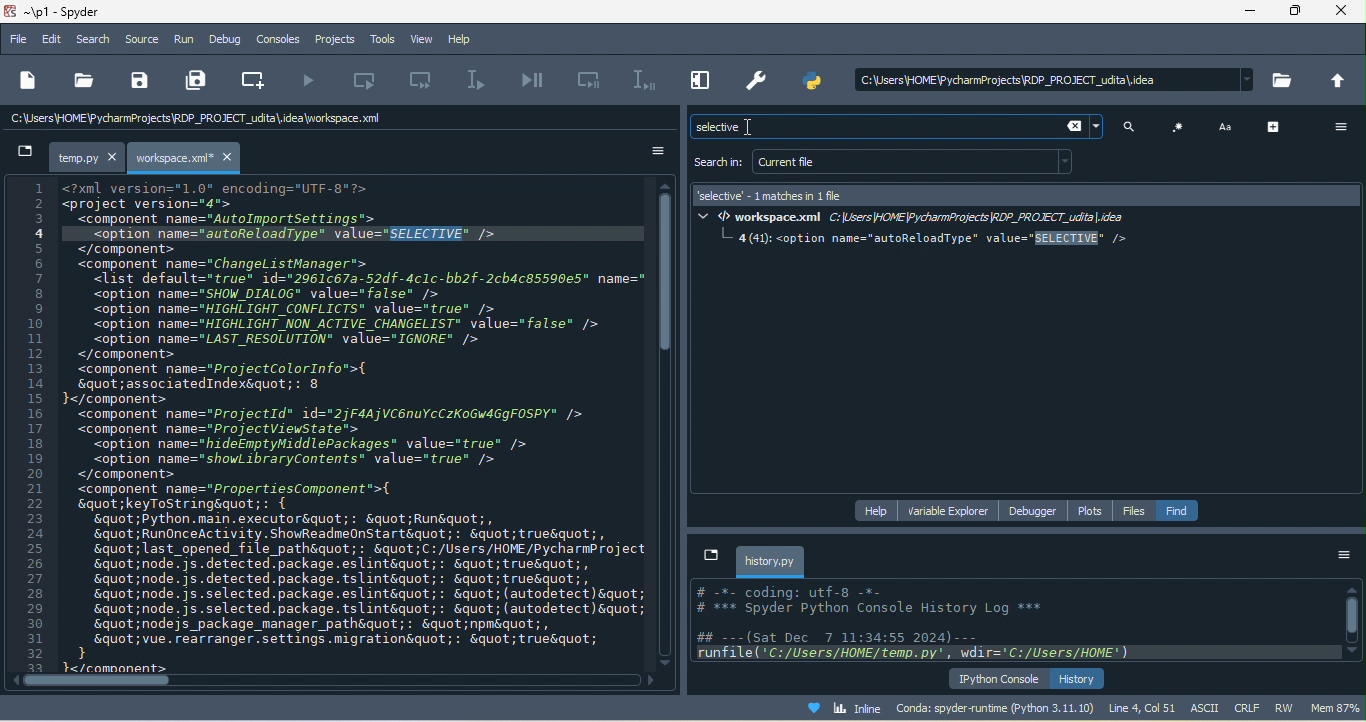  Describe the element at coordinates (1284, 707) in the screenshot. I see `rw` at that location.